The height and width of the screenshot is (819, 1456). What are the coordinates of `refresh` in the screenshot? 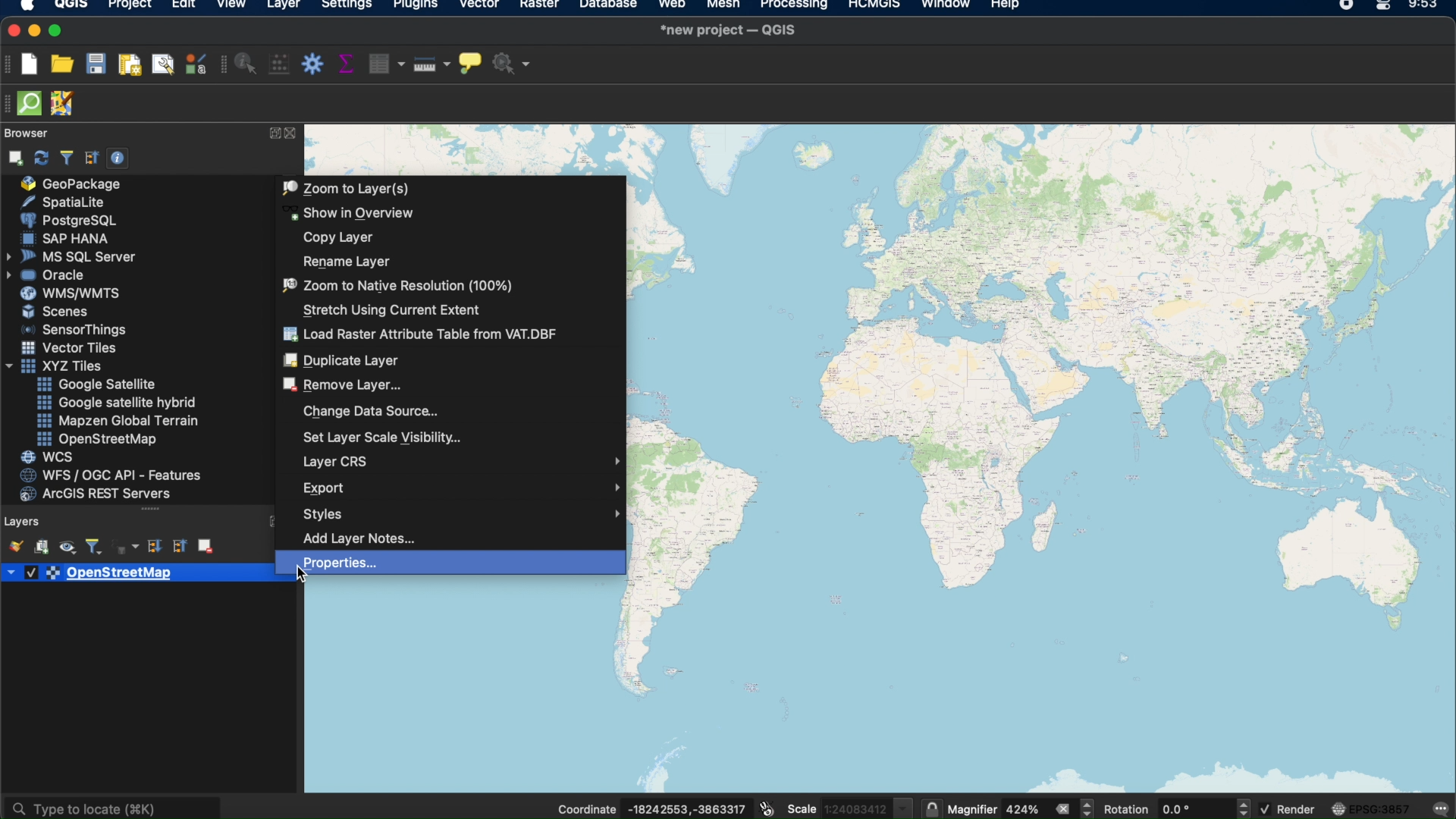 It's located at (39, 157).